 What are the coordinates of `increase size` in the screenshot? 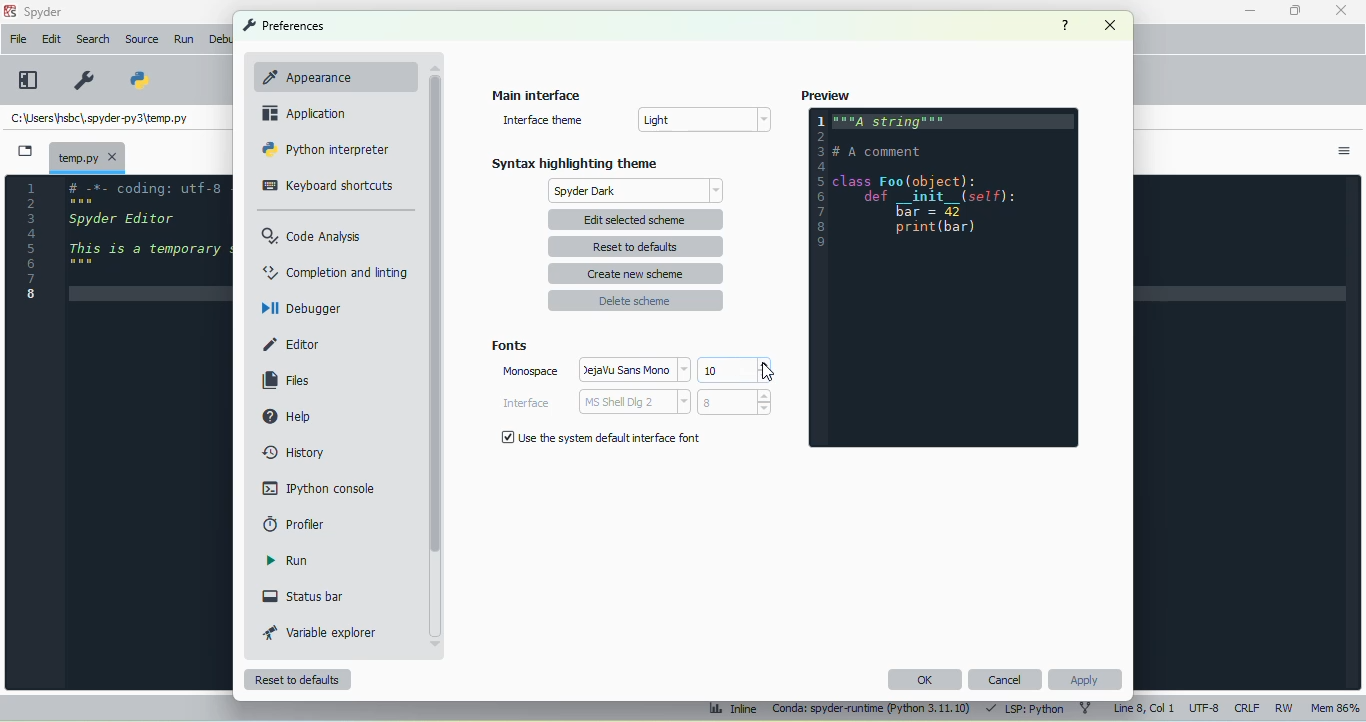 It's located at (763, 364).